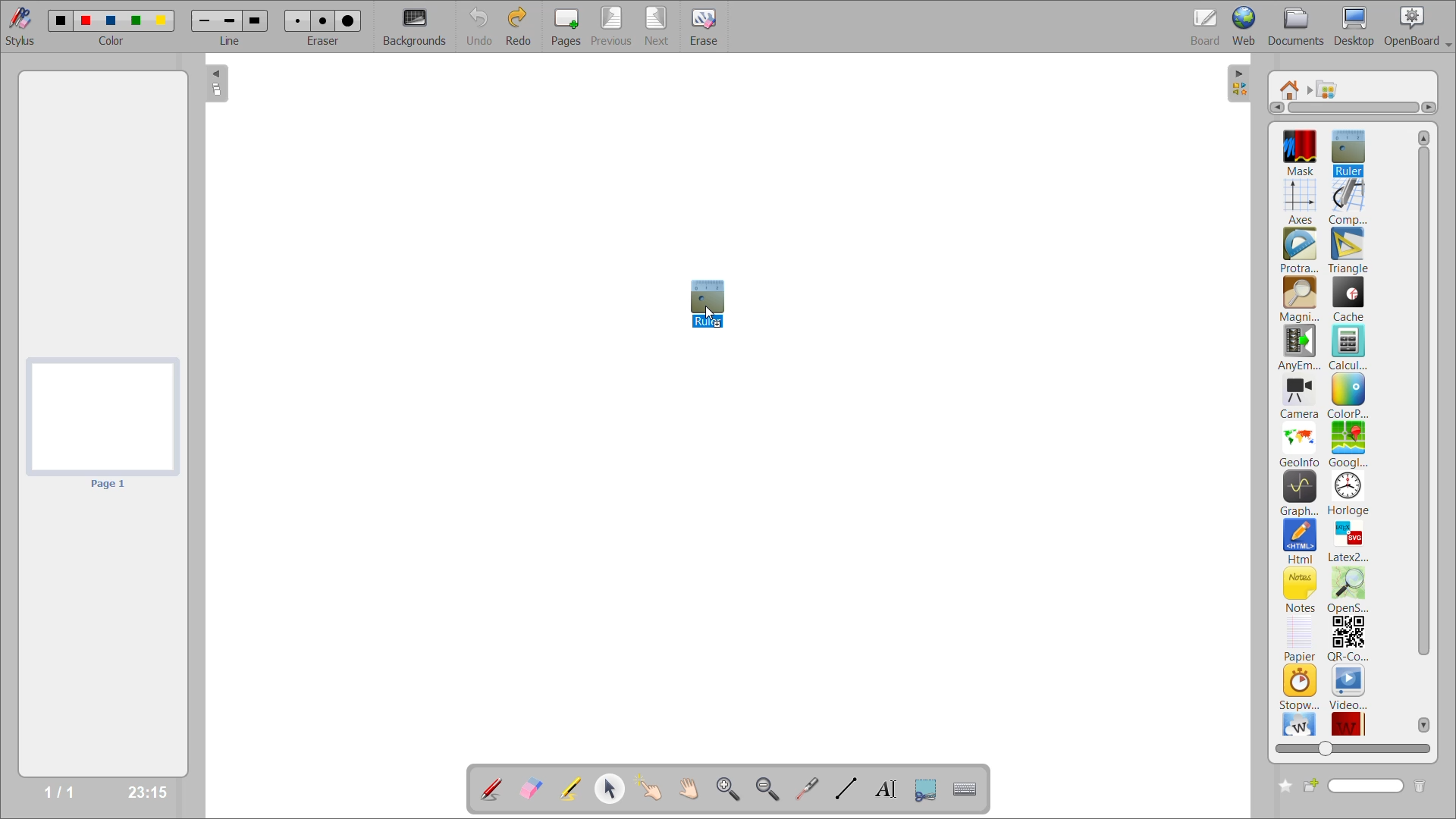 The height and width of the screenshot is (819, 1456). I want to click on desktop, so click(1355, 26).